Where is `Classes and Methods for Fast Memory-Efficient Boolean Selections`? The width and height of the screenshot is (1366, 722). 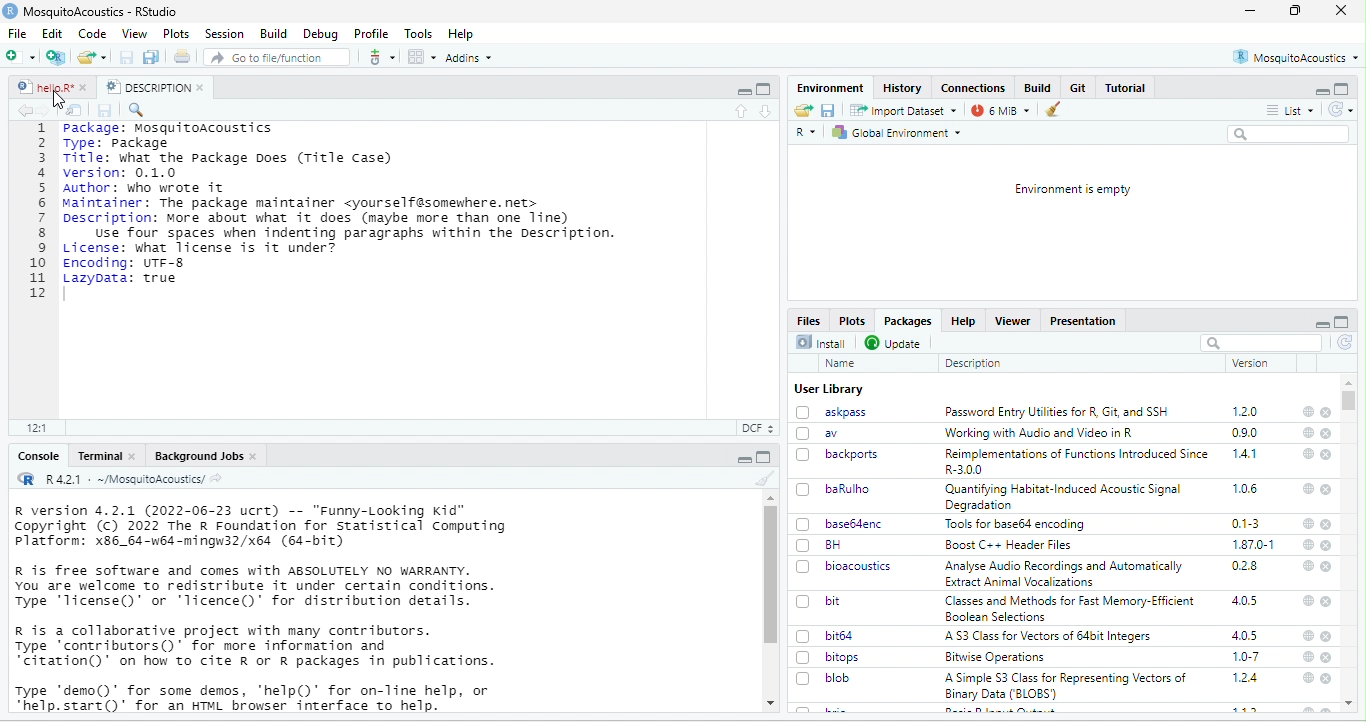
Classes and Methods for Fast Memory-Efficient Boolean Selections is located at coordinates (1069, 608).